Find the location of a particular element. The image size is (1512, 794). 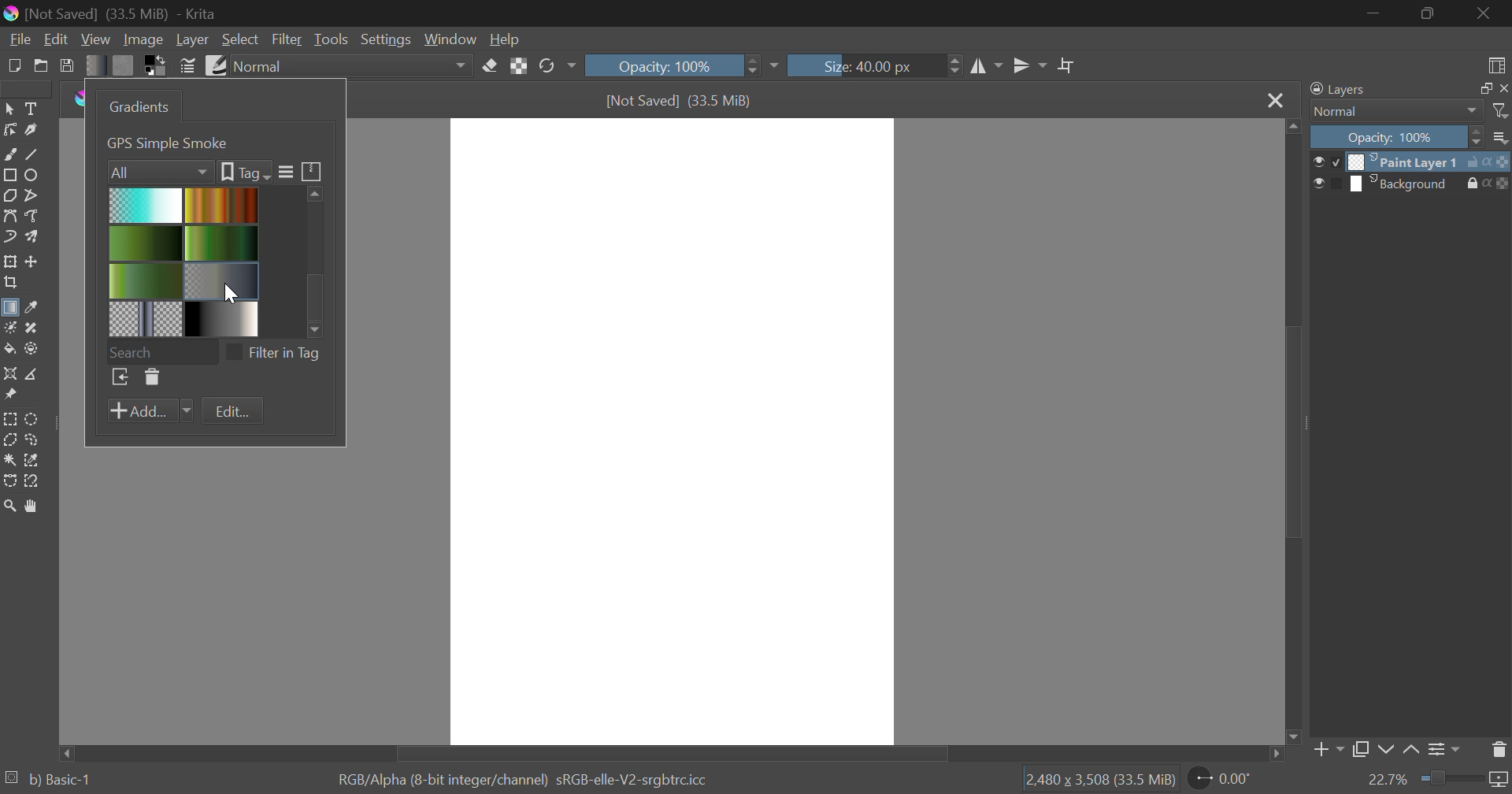

close is located at coordinates (1503, 88).